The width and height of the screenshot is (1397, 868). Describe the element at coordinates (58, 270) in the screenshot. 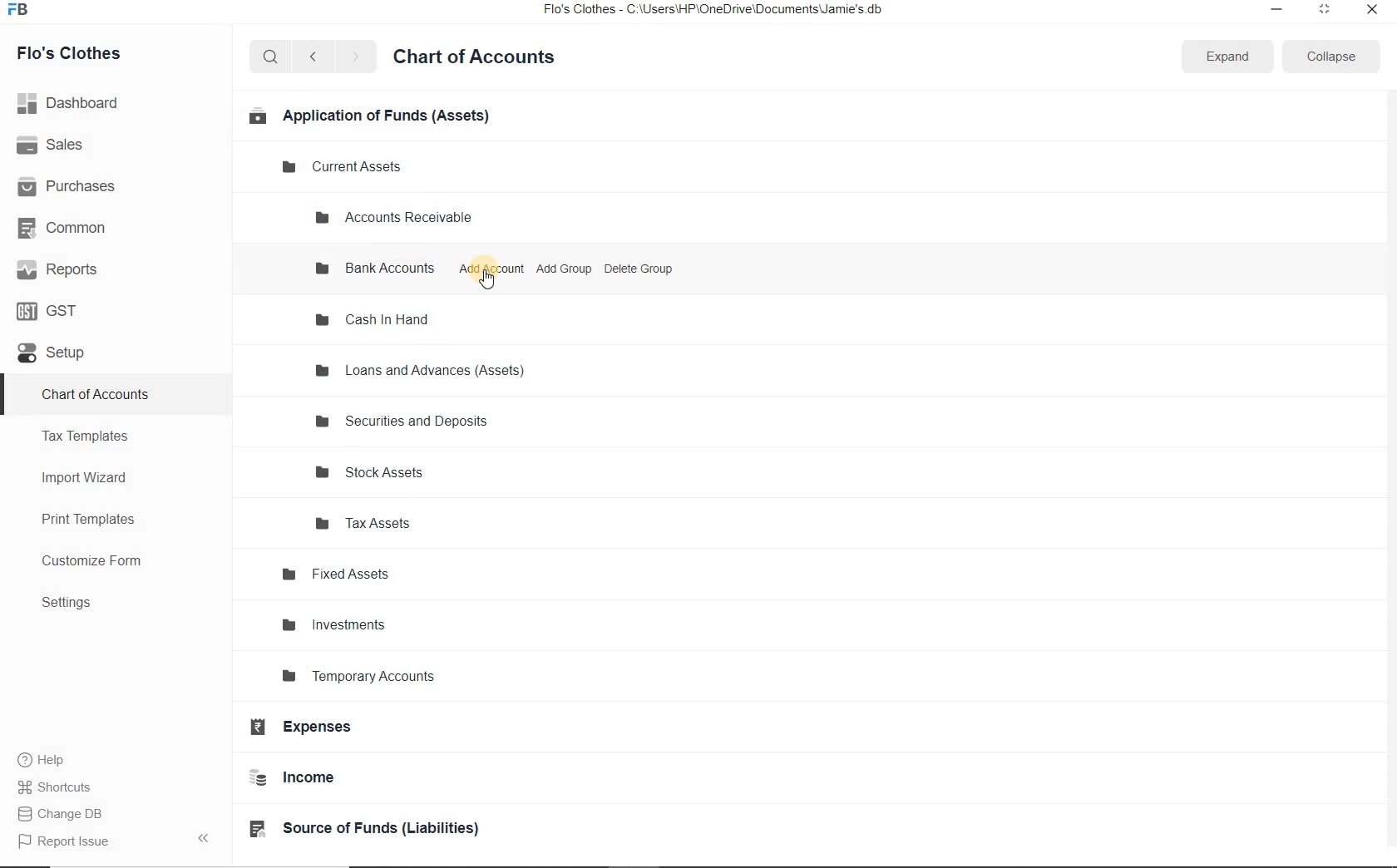

I see `Reports` at that location.